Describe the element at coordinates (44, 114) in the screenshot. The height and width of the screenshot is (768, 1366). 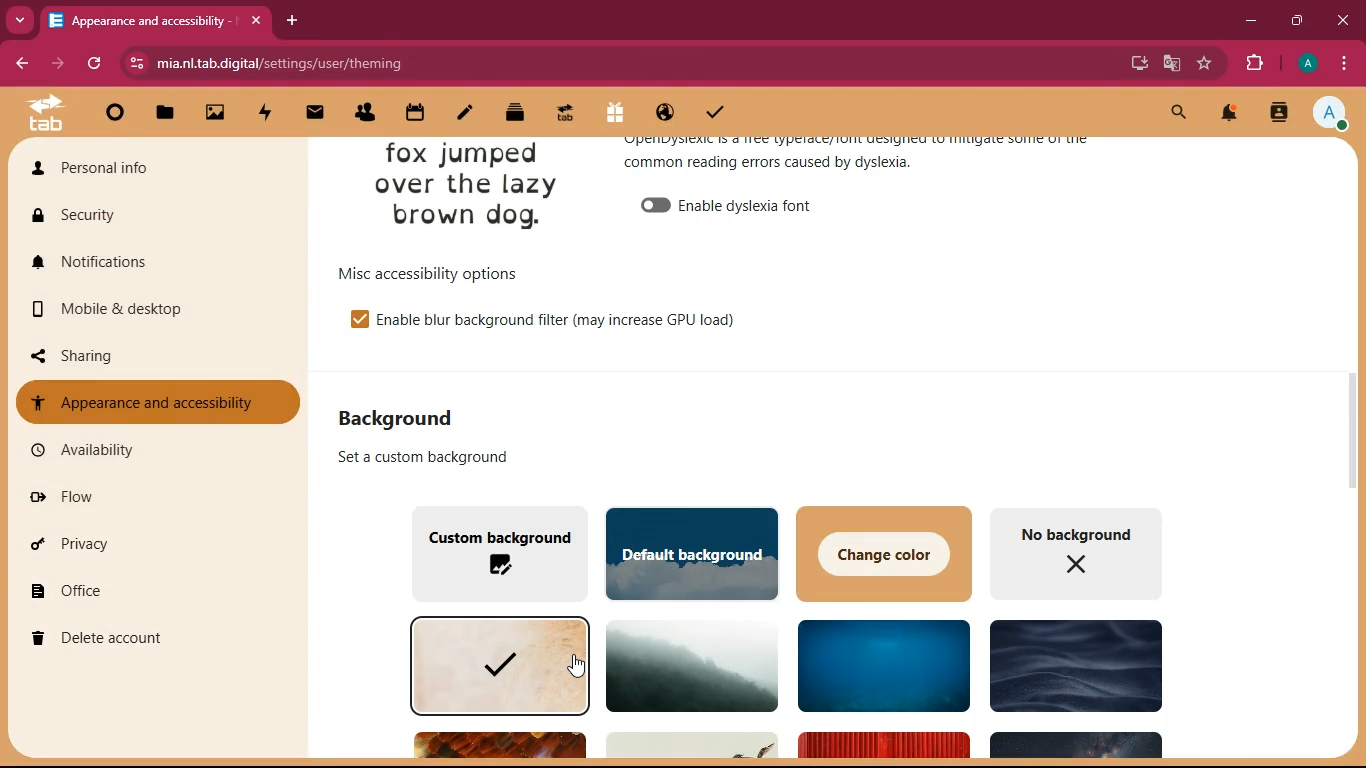
I see `tab` at that location.